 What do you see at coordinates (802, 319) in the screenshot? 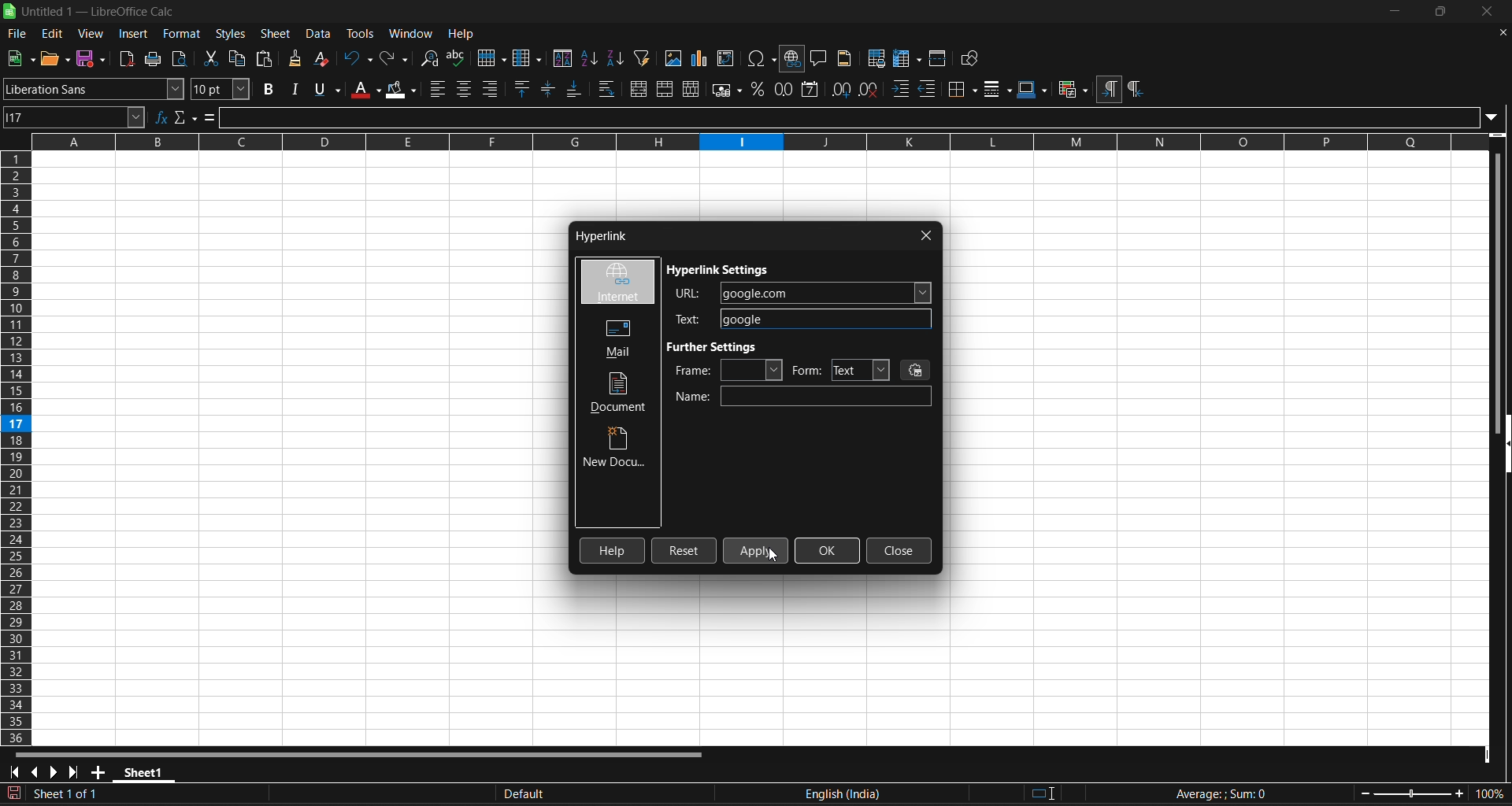
I see `typed google in the text field` at bounding box center [802, 319].